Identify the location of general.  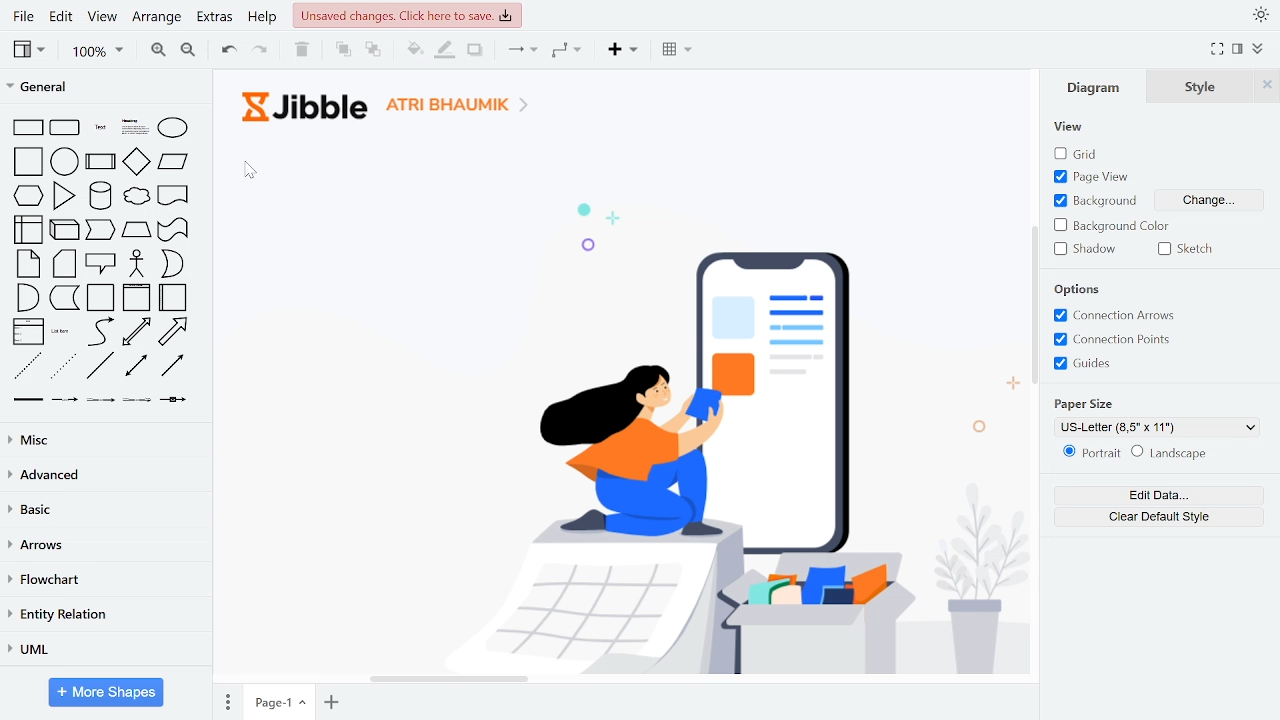
(98, 89).